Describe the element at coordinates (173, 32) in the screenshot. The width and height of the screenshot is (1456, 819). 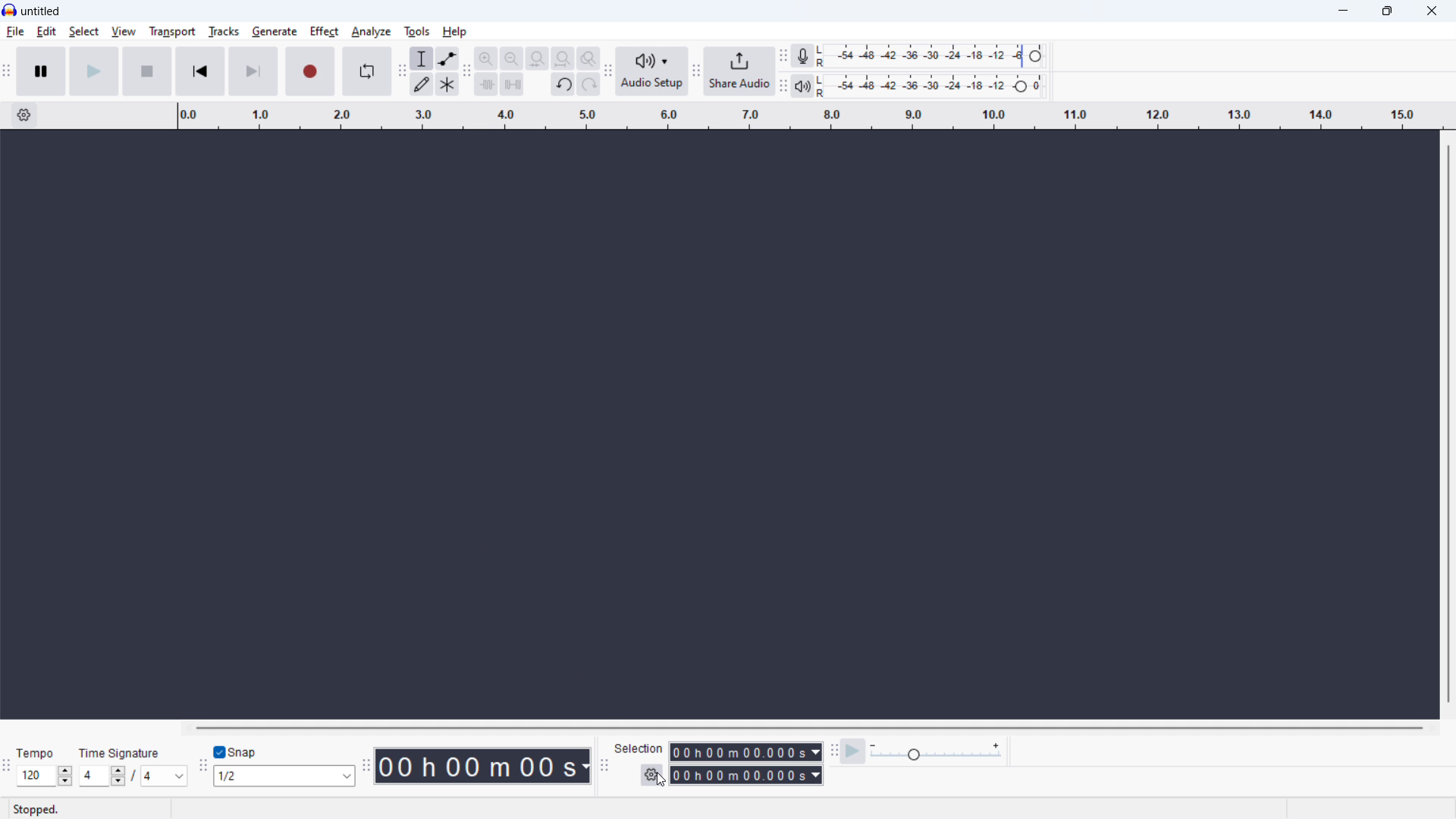
I see `transport` at that location.